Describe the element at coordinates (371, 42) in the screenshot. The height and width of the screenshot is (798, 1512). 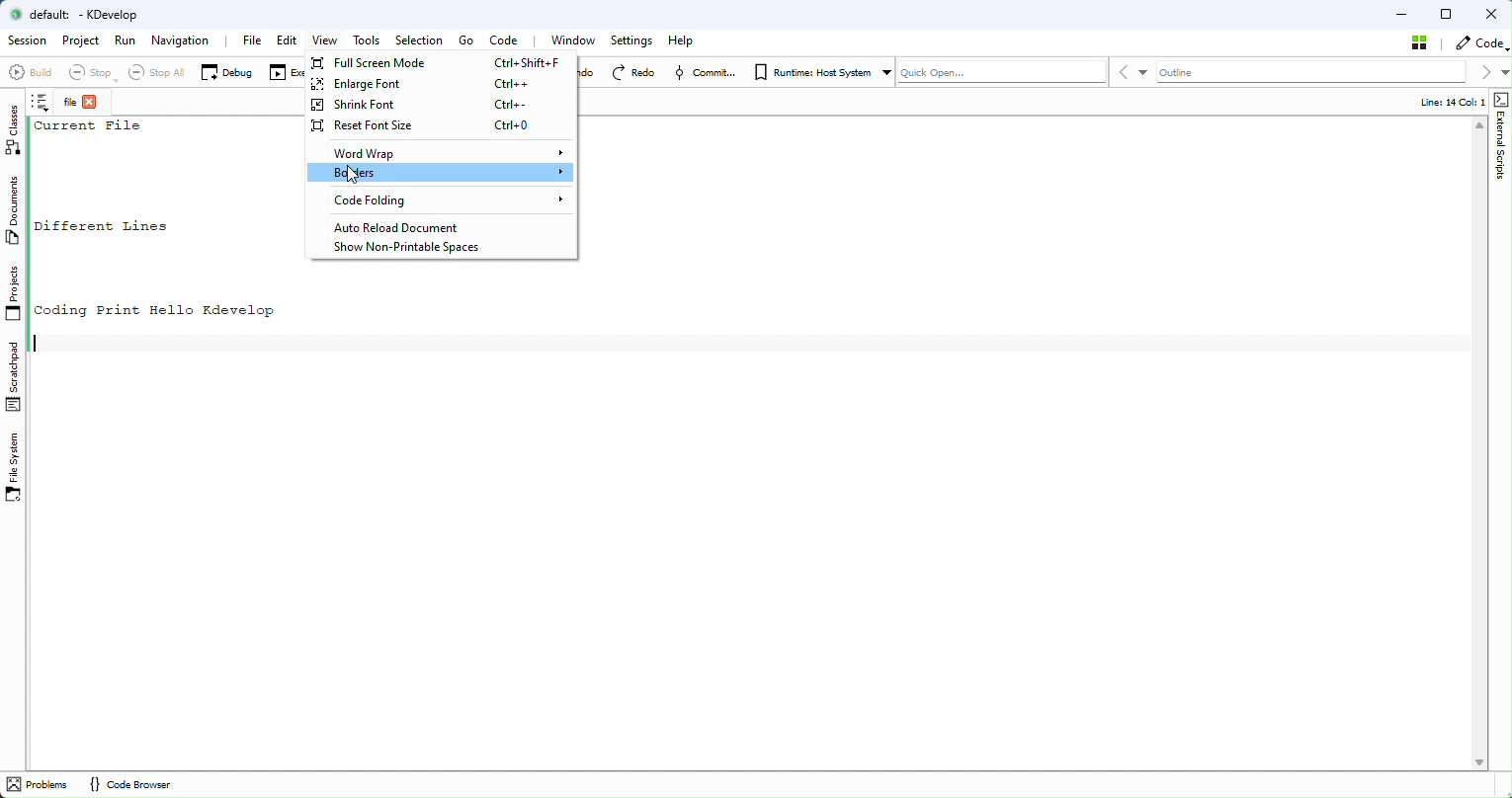
I see `Tools` at that location.